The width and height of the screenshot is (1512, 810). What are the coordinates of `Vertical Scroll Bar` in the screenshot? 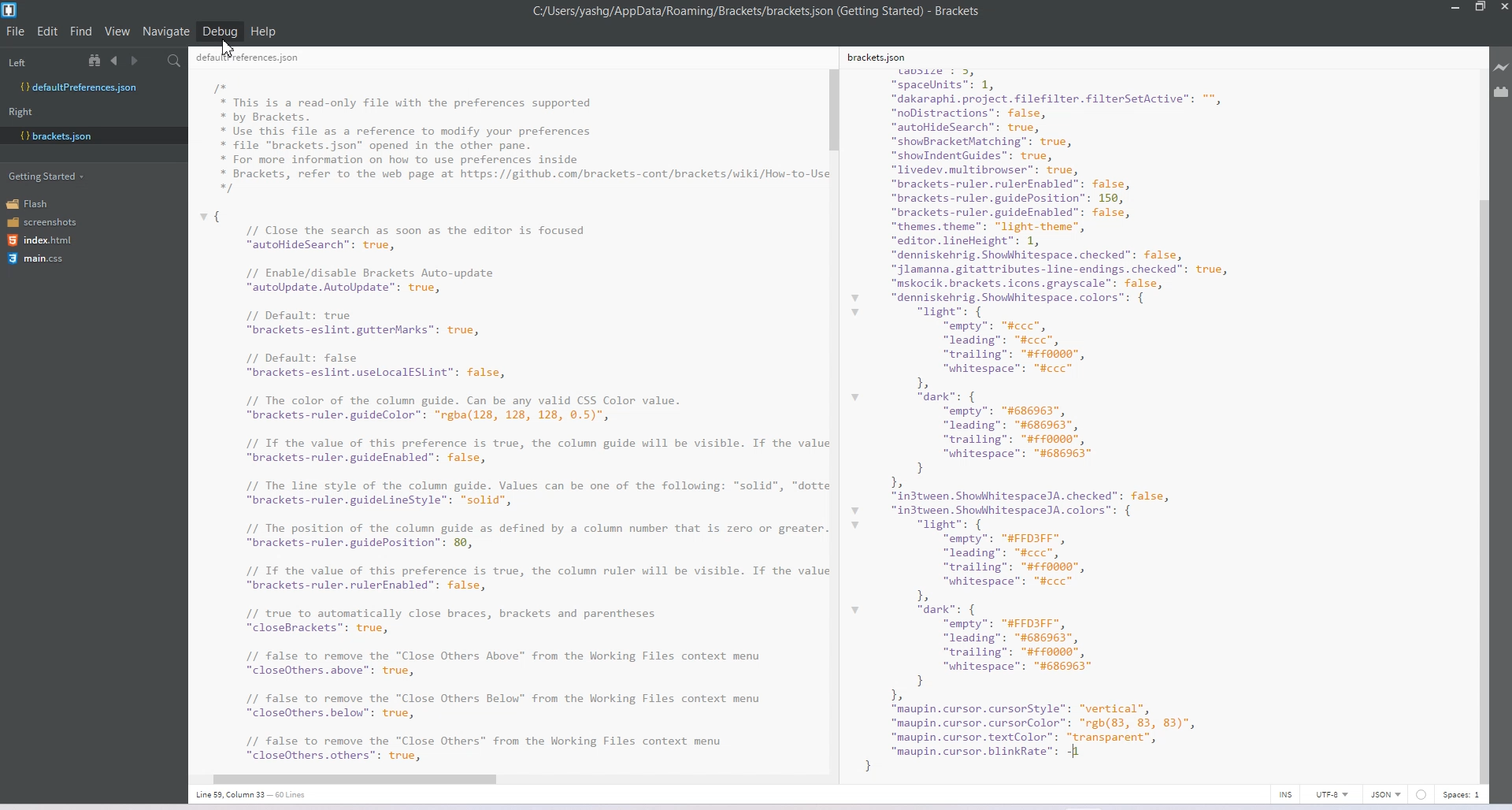 It's located at (834, 416).